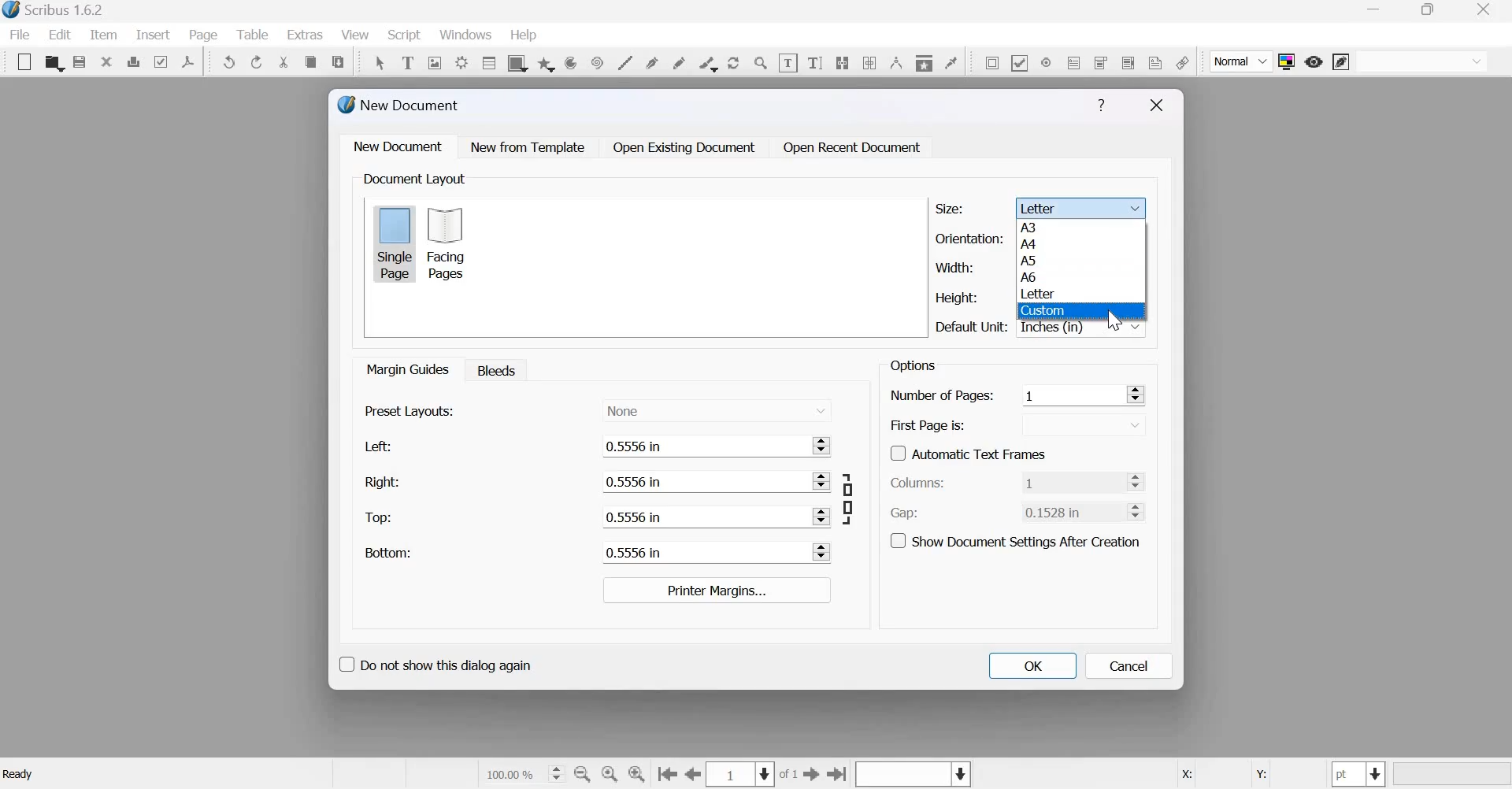 The width and height of the screenshot is (1512, 789). Describe the element at coordinates (918, 483) in the screenshot. I see `Columns:` at that location.